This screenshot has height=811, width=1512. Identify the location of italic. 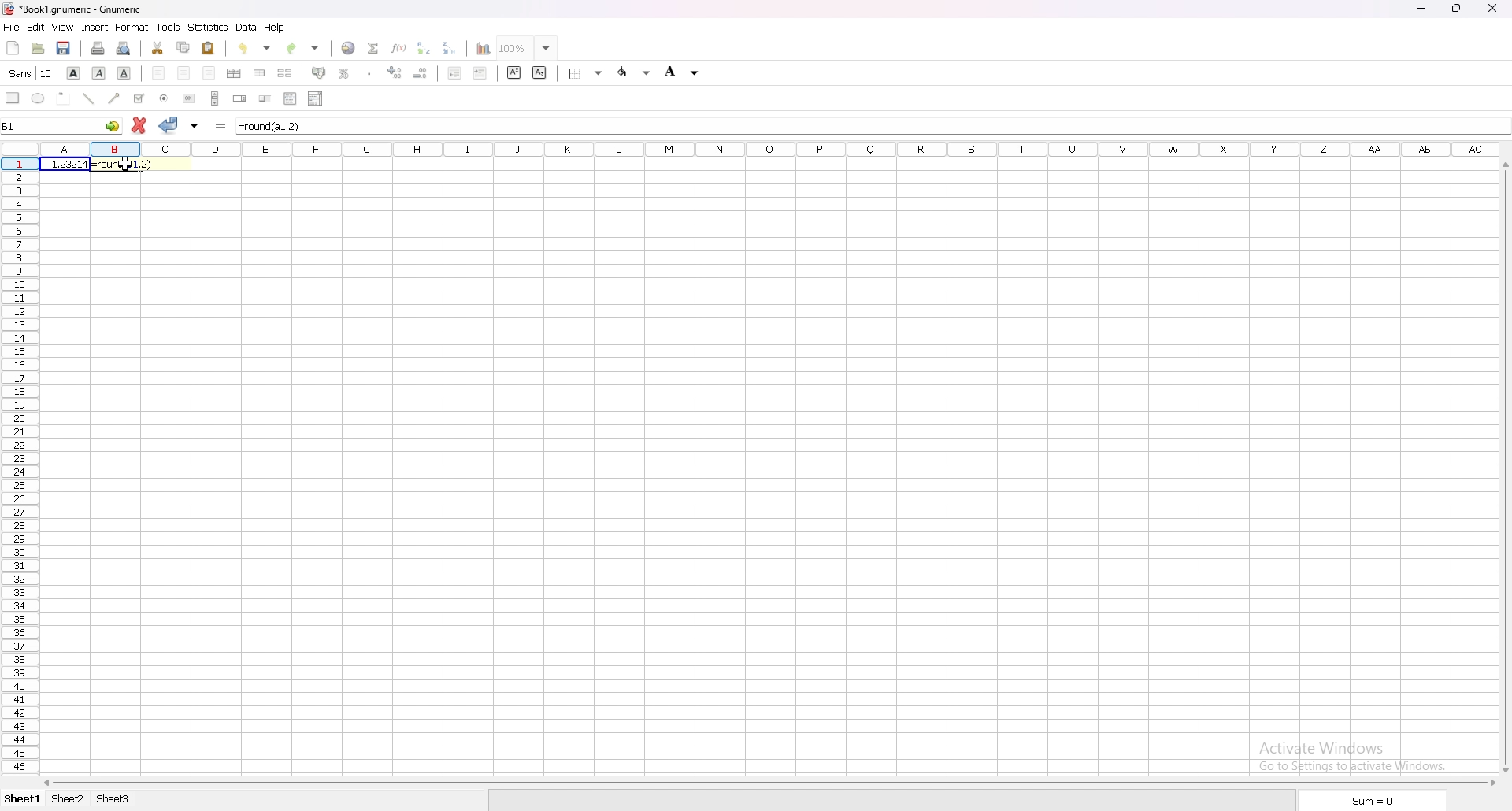
(99, 72).